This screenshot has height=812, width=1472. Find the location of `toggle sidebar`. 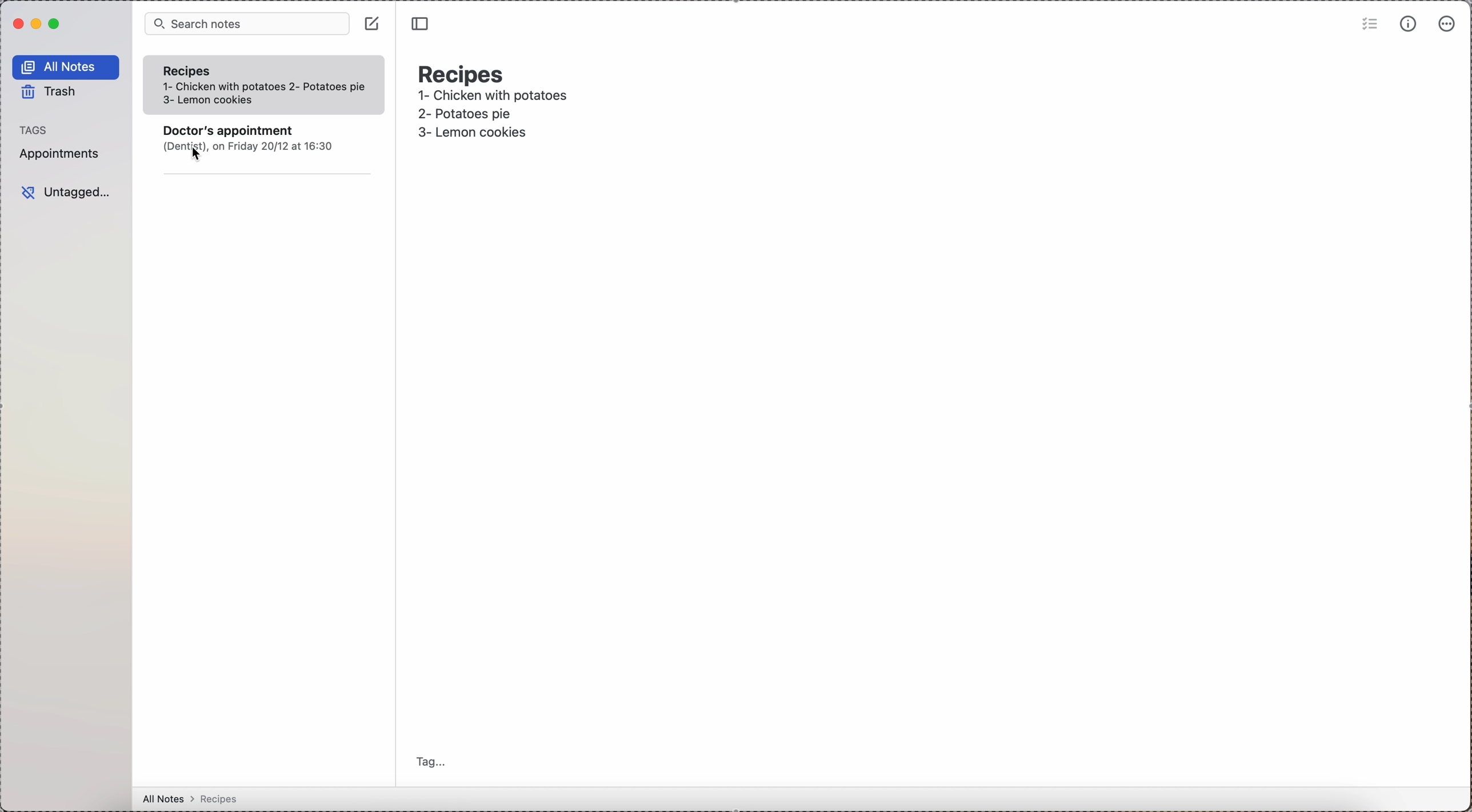

toggle sidebar is located at coordinates (423, 25).